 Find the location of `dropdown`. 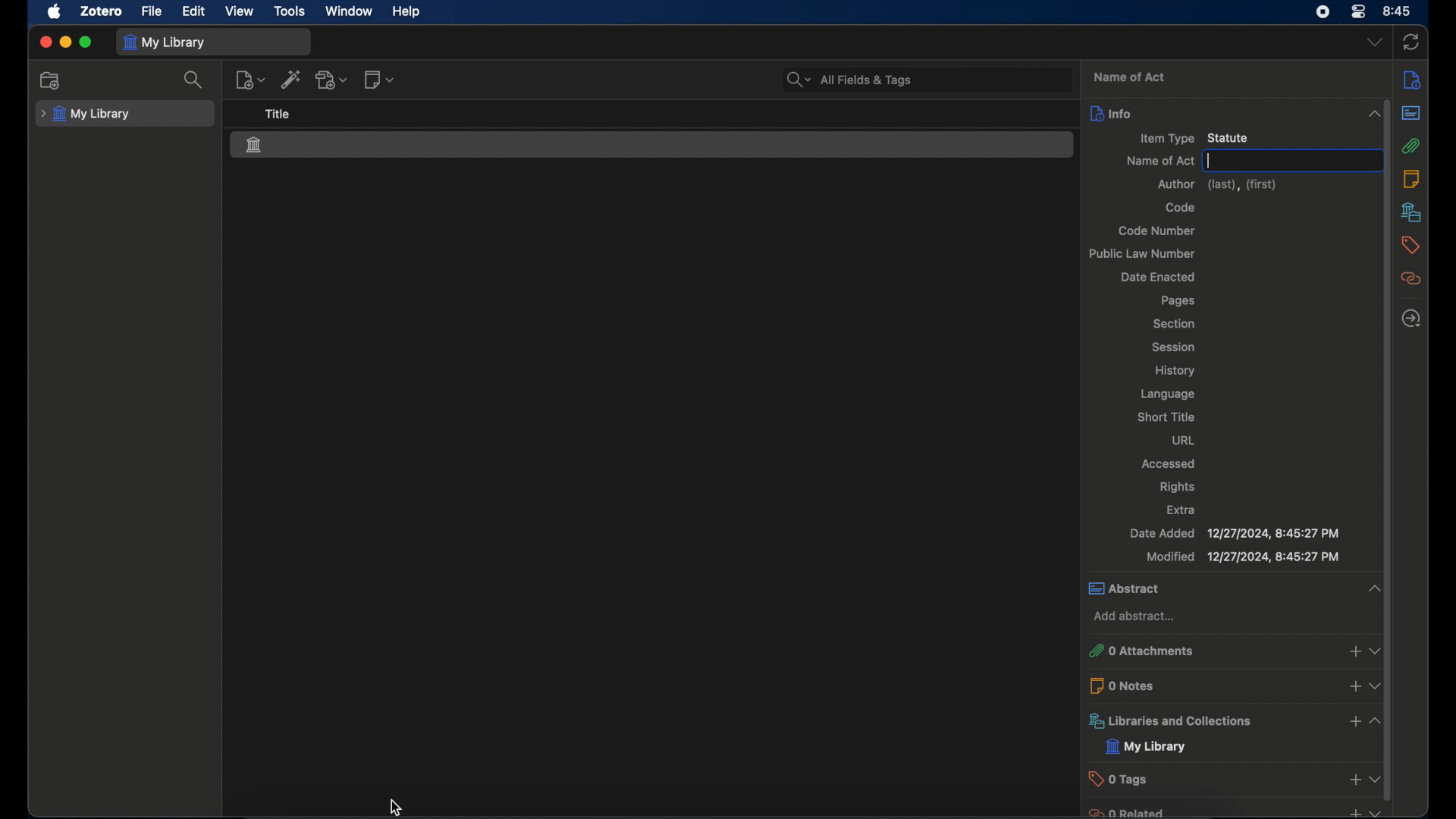

dropdown is located at coordinates (1376, 651).